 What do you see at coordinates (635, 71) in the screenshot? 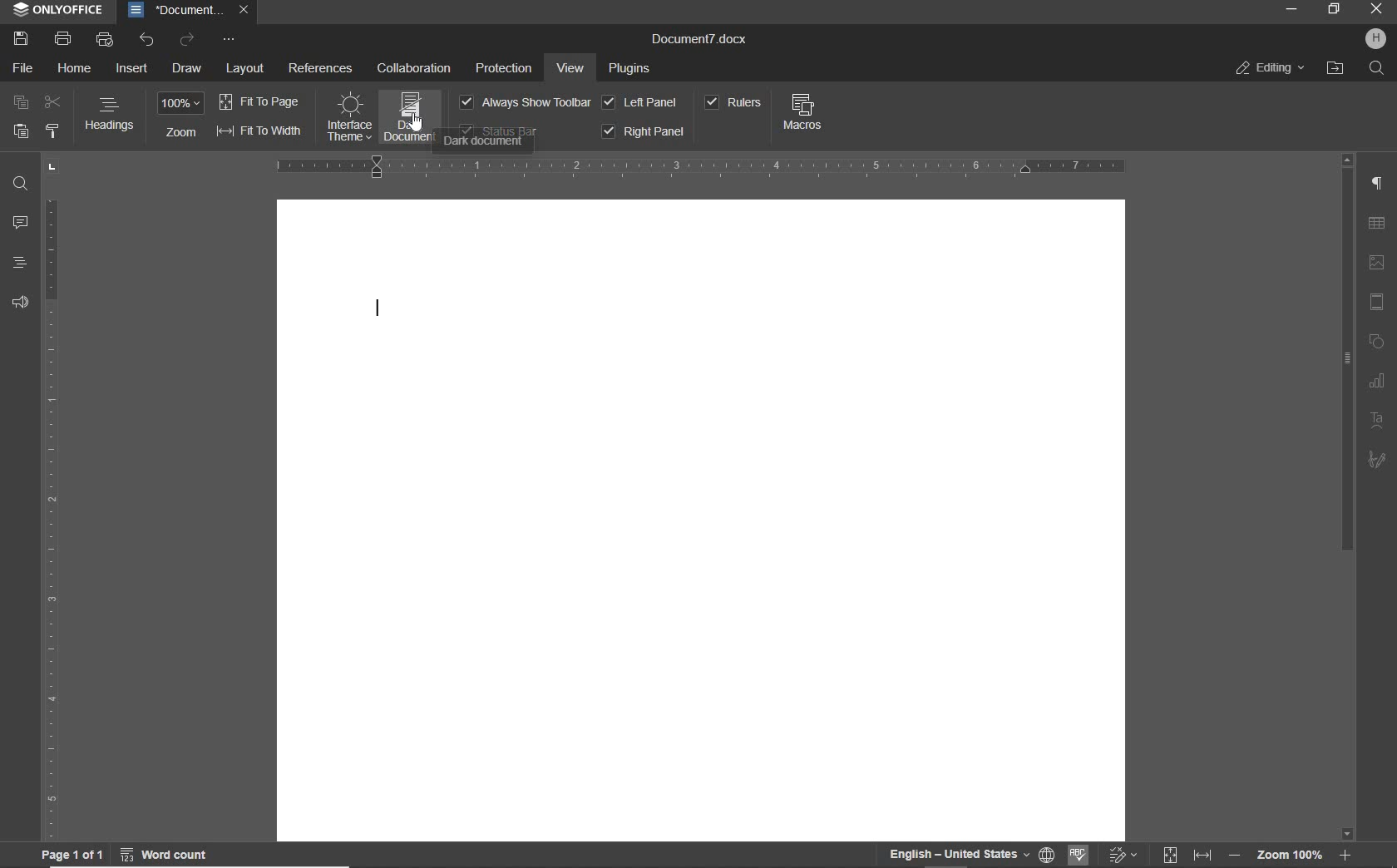
I see `PLUGINS` at bounding box center [635, 71].